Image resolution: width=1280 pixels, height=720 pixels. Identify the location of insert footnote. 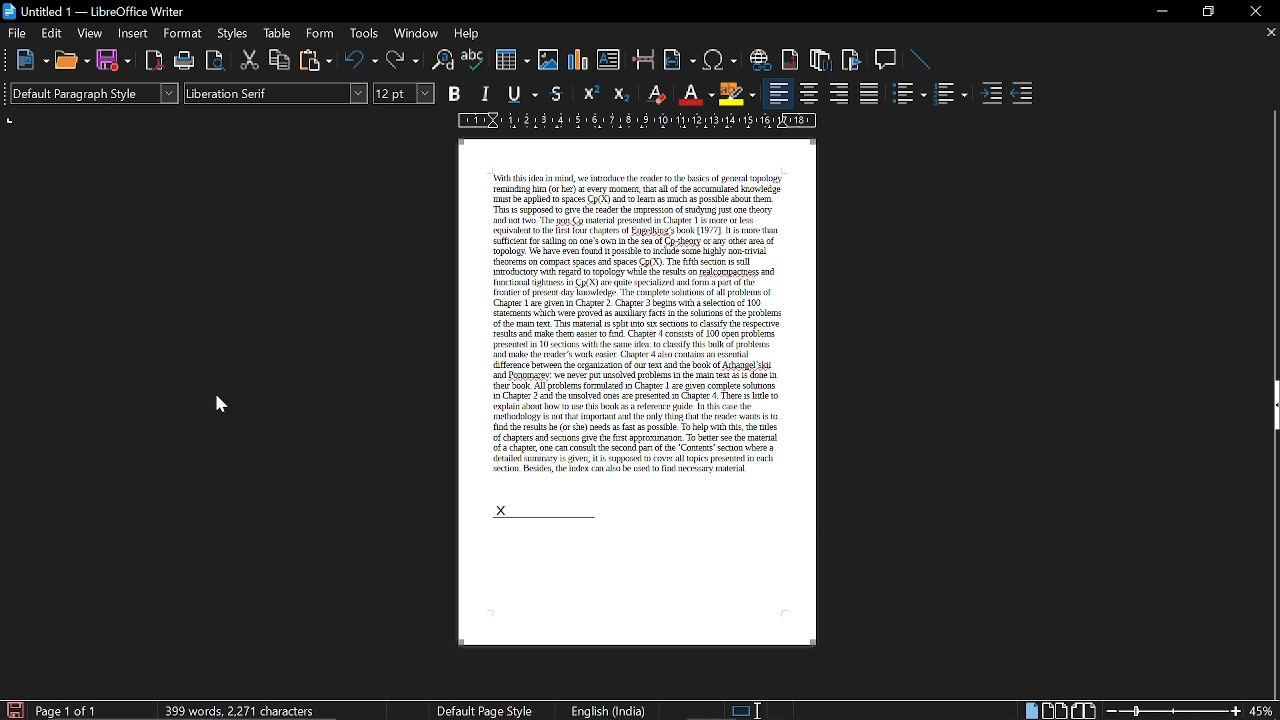
(821, 58).